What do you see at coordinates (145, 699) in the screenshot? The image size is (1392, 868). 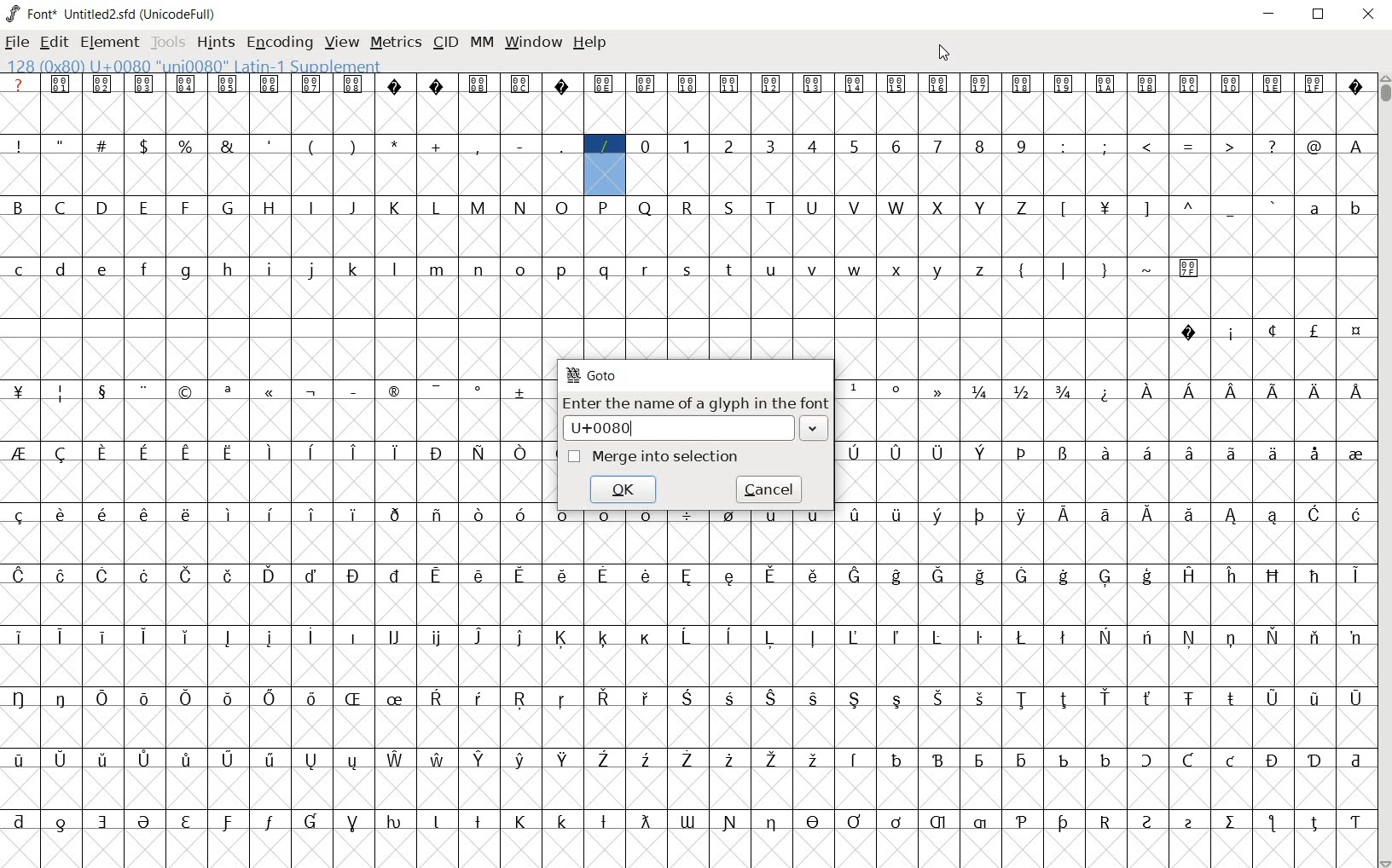 I see `glyph` at bounding box center [145, 699].